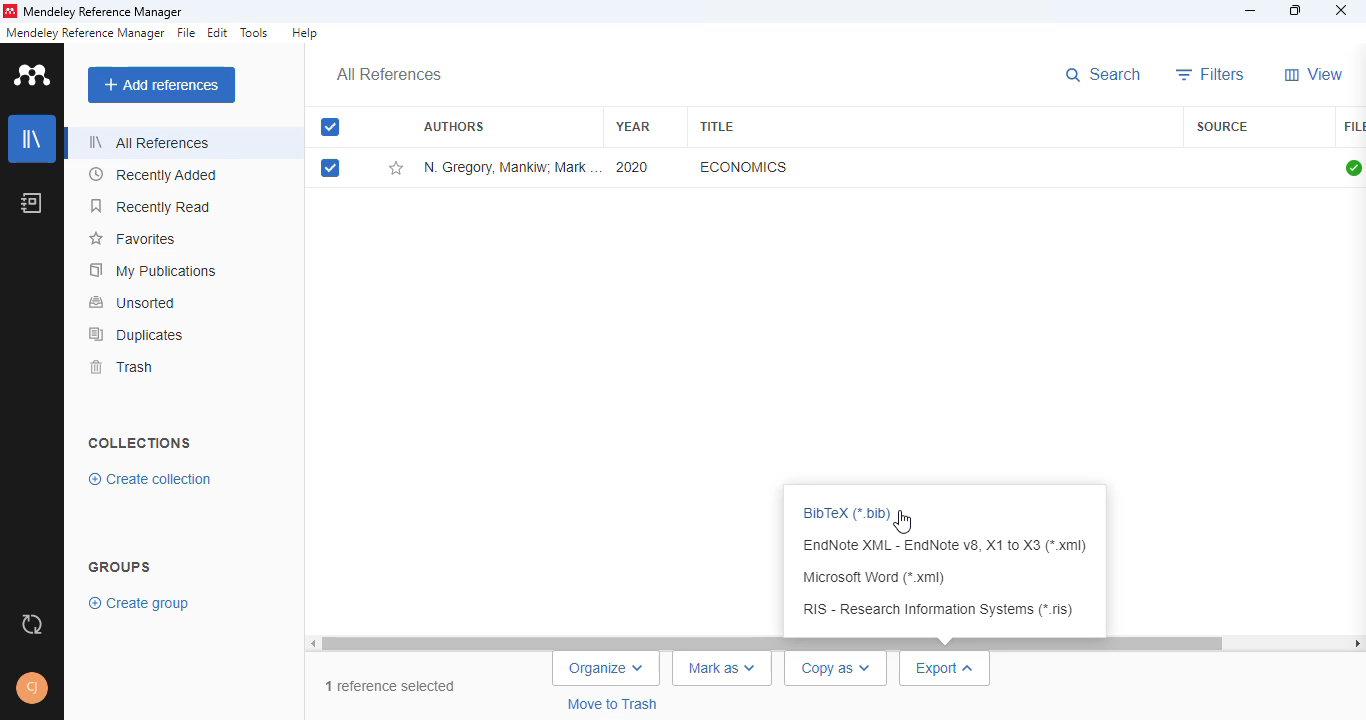  I want to click on authors, so click(454, 125).